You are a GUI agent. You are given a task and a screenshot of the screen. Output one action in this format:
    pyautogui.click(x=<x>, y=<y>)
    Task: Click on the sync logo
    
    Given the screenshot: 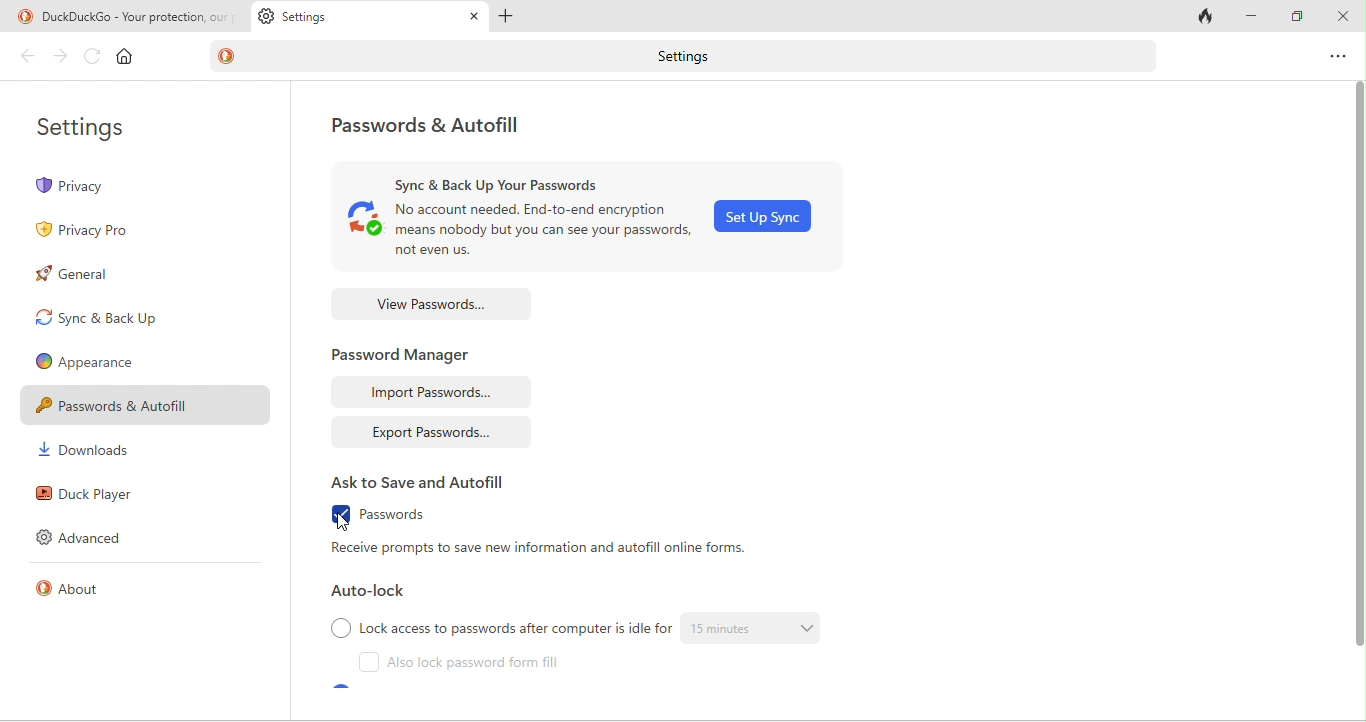 What is the action you would take?
    pyautogui.click(x=361, y=226)
    